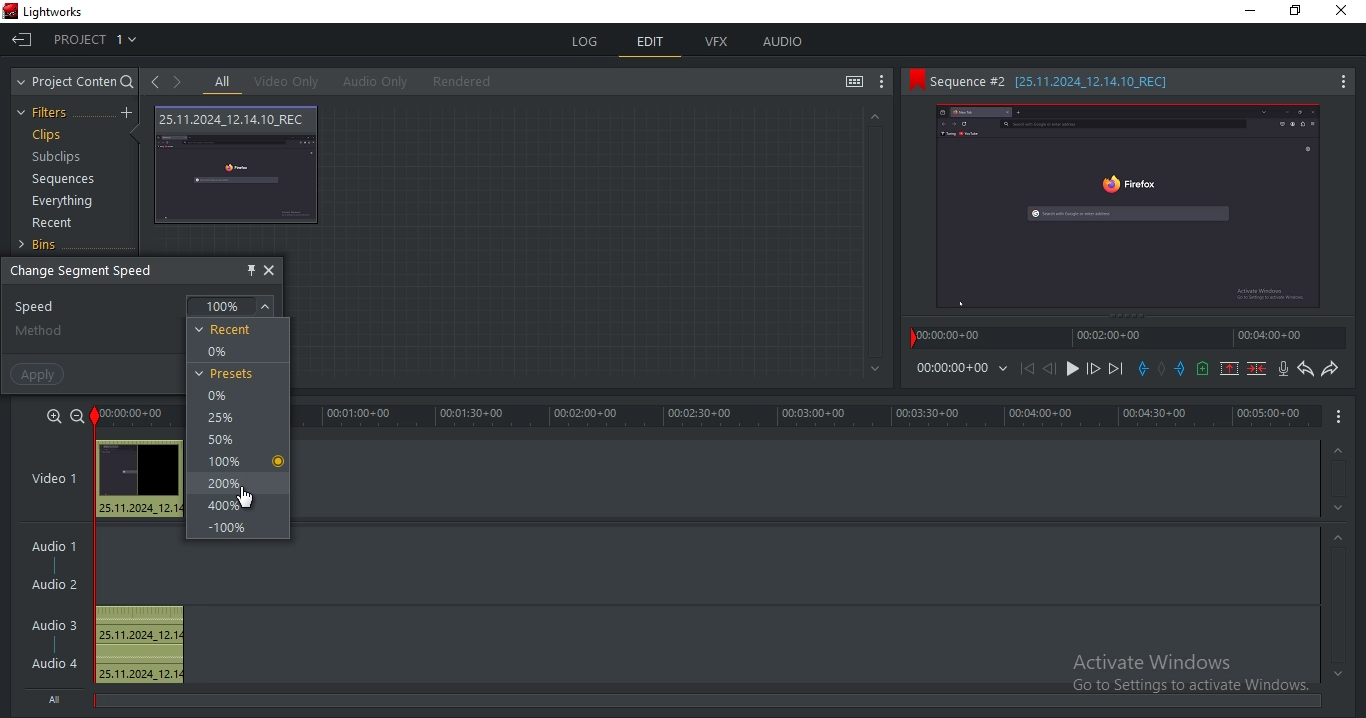 The height and width of the screenshot is (718, 1366). Describe the element at coordinates (1337, 418) in the screenshot. I see `options` at that location.